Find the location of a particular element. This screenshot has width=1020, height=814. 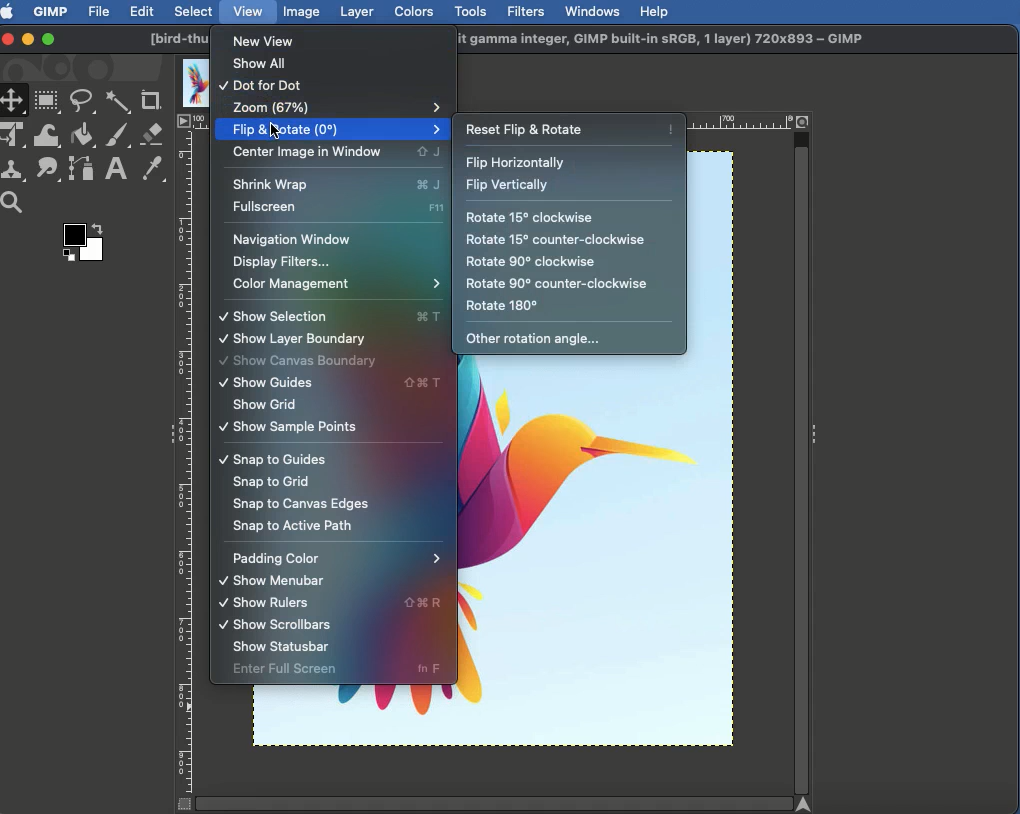

View is located at coordinates (249, 10).